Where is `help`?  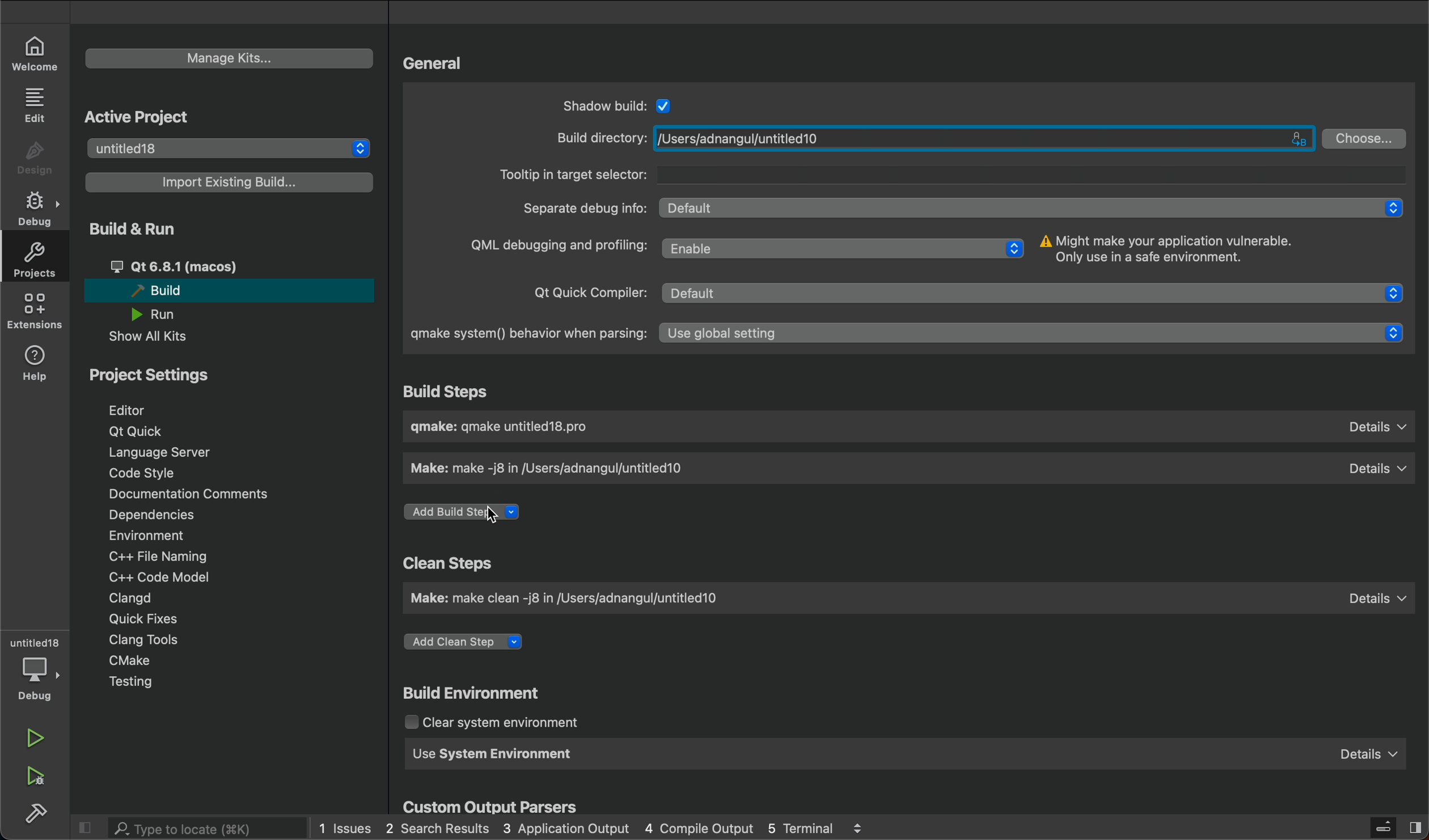 help is located at coordinates (37, 360).